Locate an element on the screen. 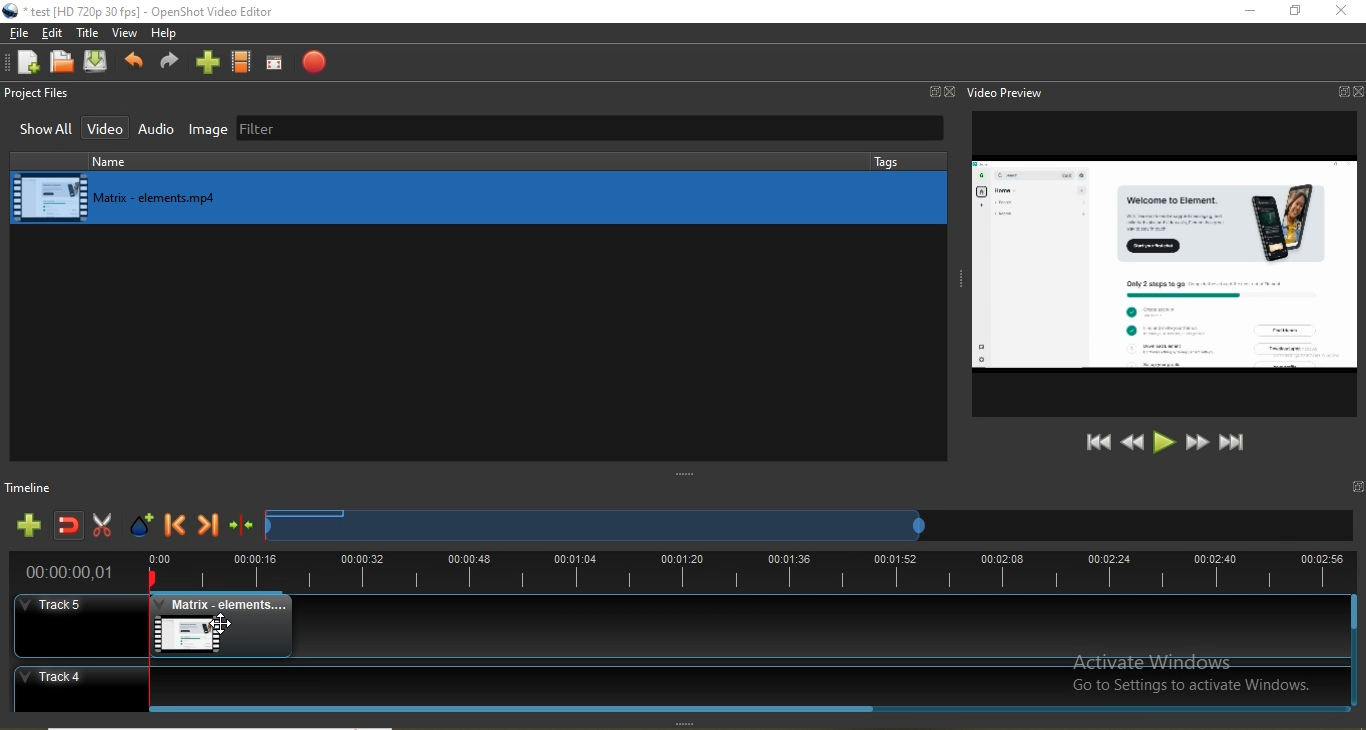 The width and height of the screenshot is (1366, 730). adjust window is located at coordinates (955, 276).